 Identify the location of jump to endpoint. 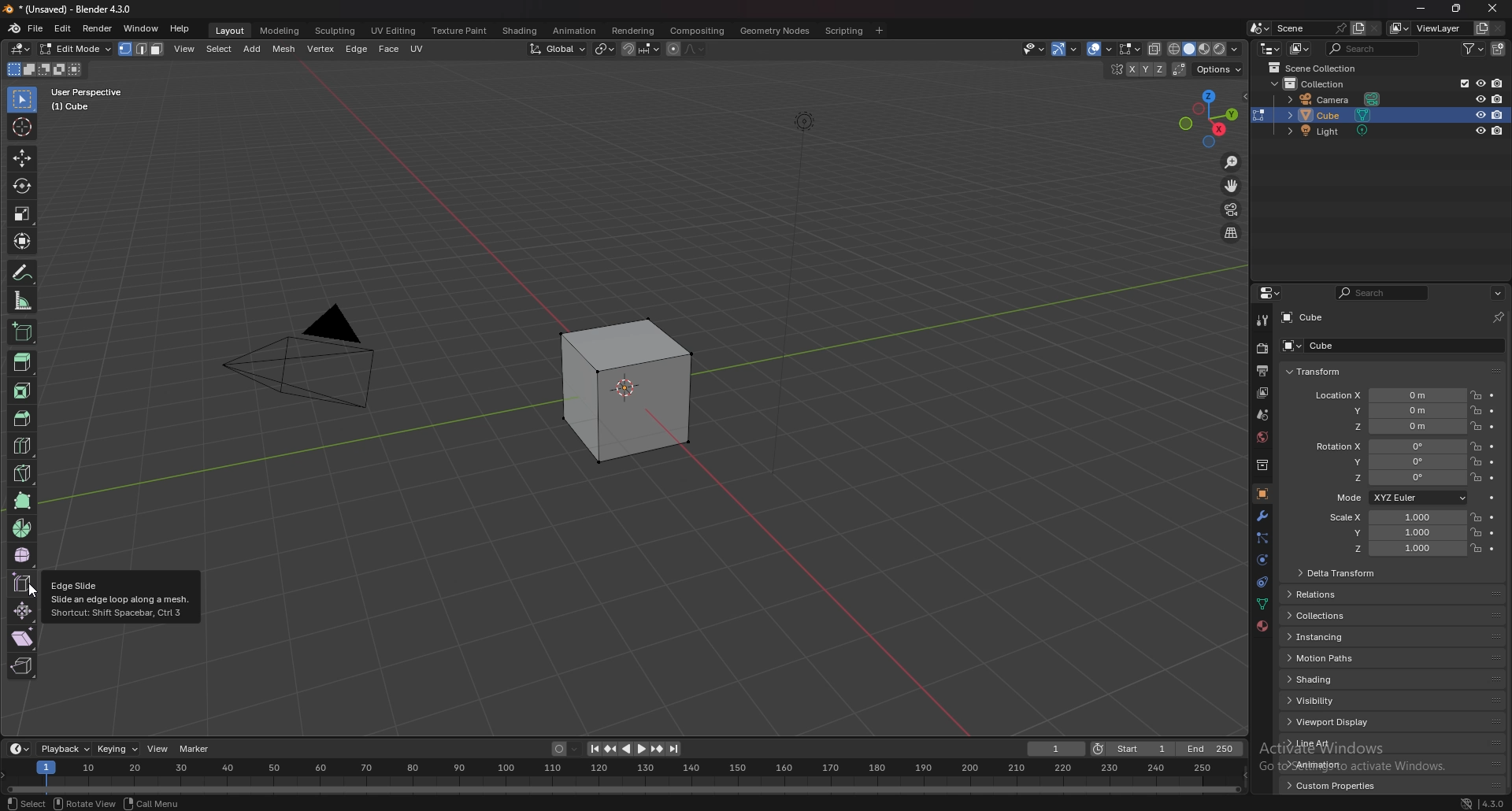
(675, 750).